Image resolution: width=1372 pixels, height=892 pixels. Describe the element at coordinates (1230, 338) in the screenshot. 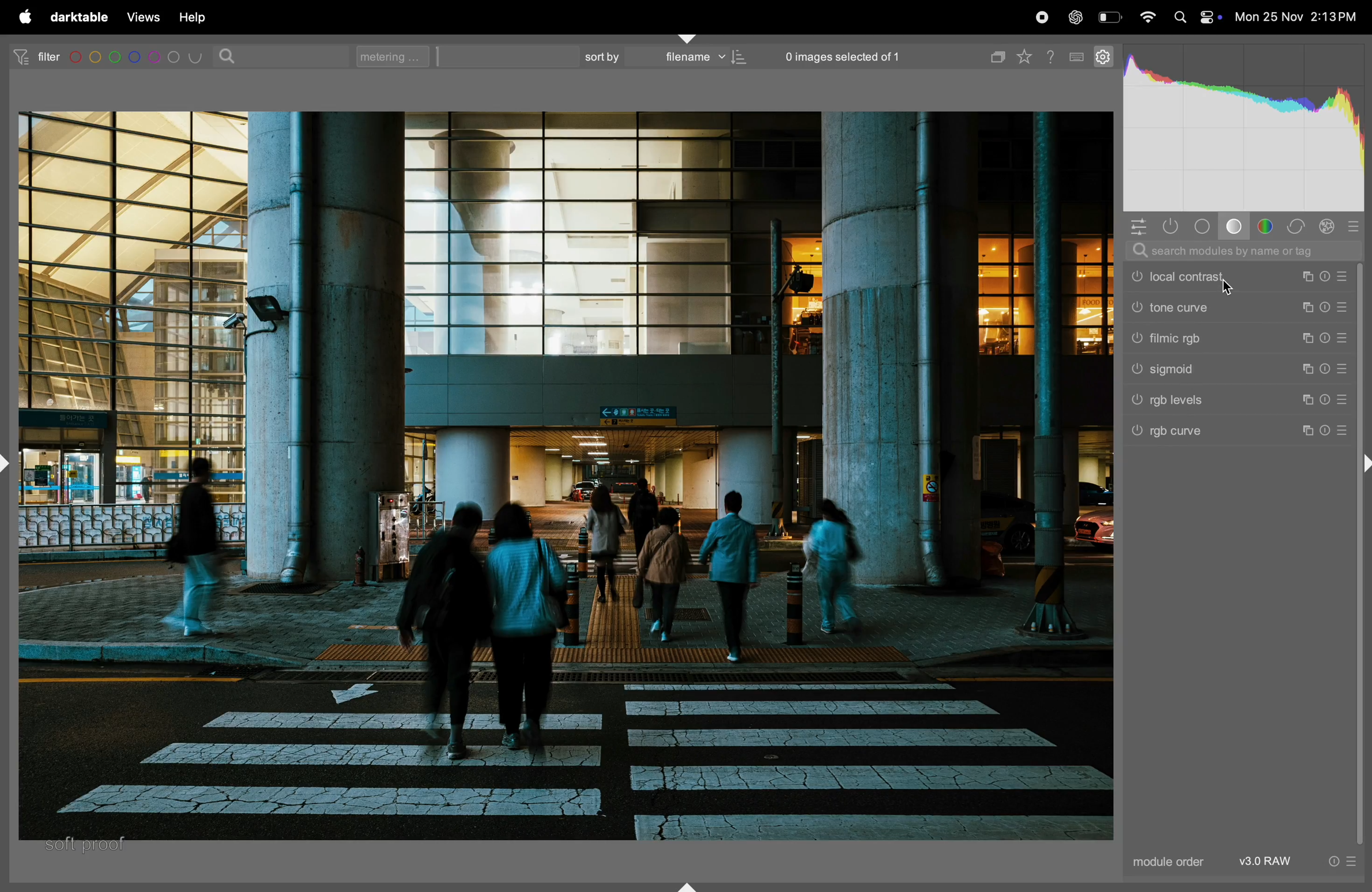

I see `filmic rgb` at that location.